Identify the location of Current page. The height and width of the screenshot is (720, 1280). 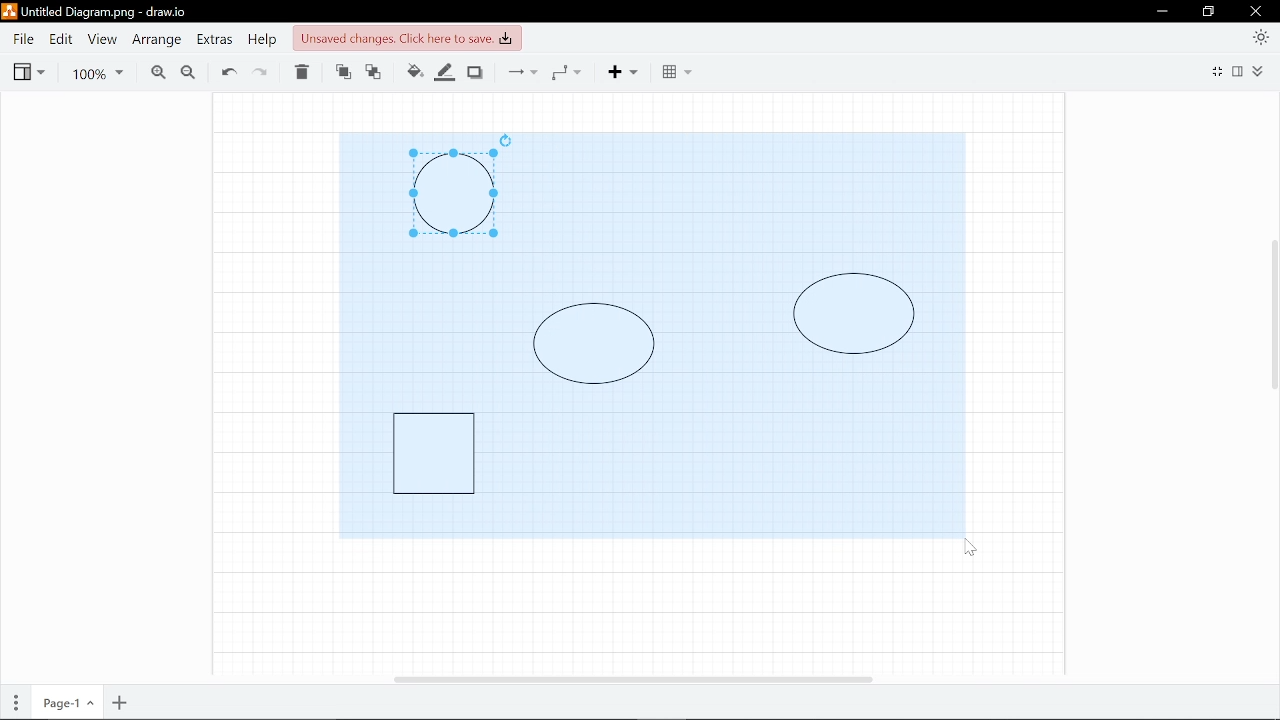
(65, 704).